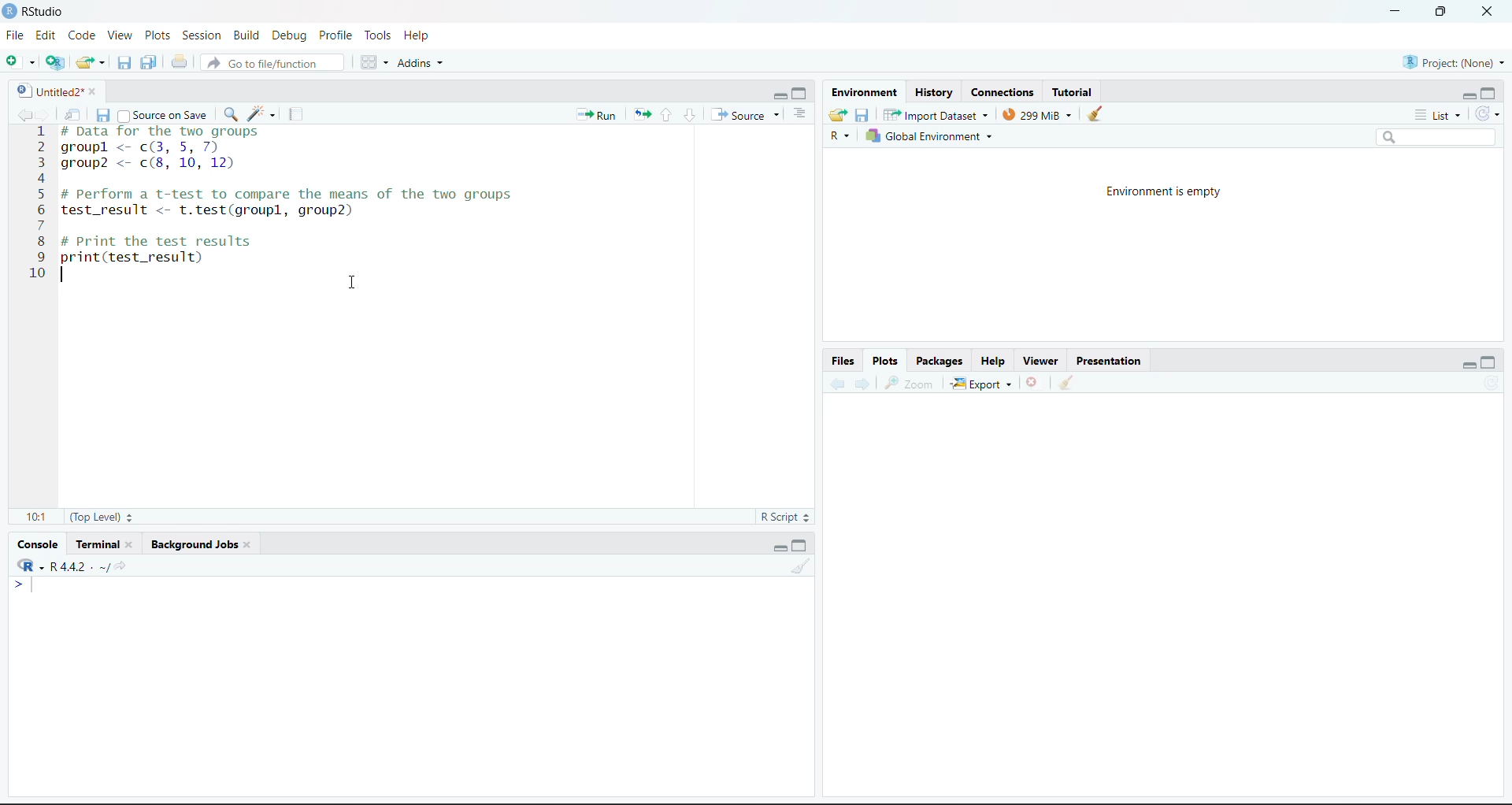 Image resolution: width=1512 pixels, height=805 pixels. What do you see at coordinates (1441, 116) in the screenshot?
I see `list` at bounding box center [1441, 116].